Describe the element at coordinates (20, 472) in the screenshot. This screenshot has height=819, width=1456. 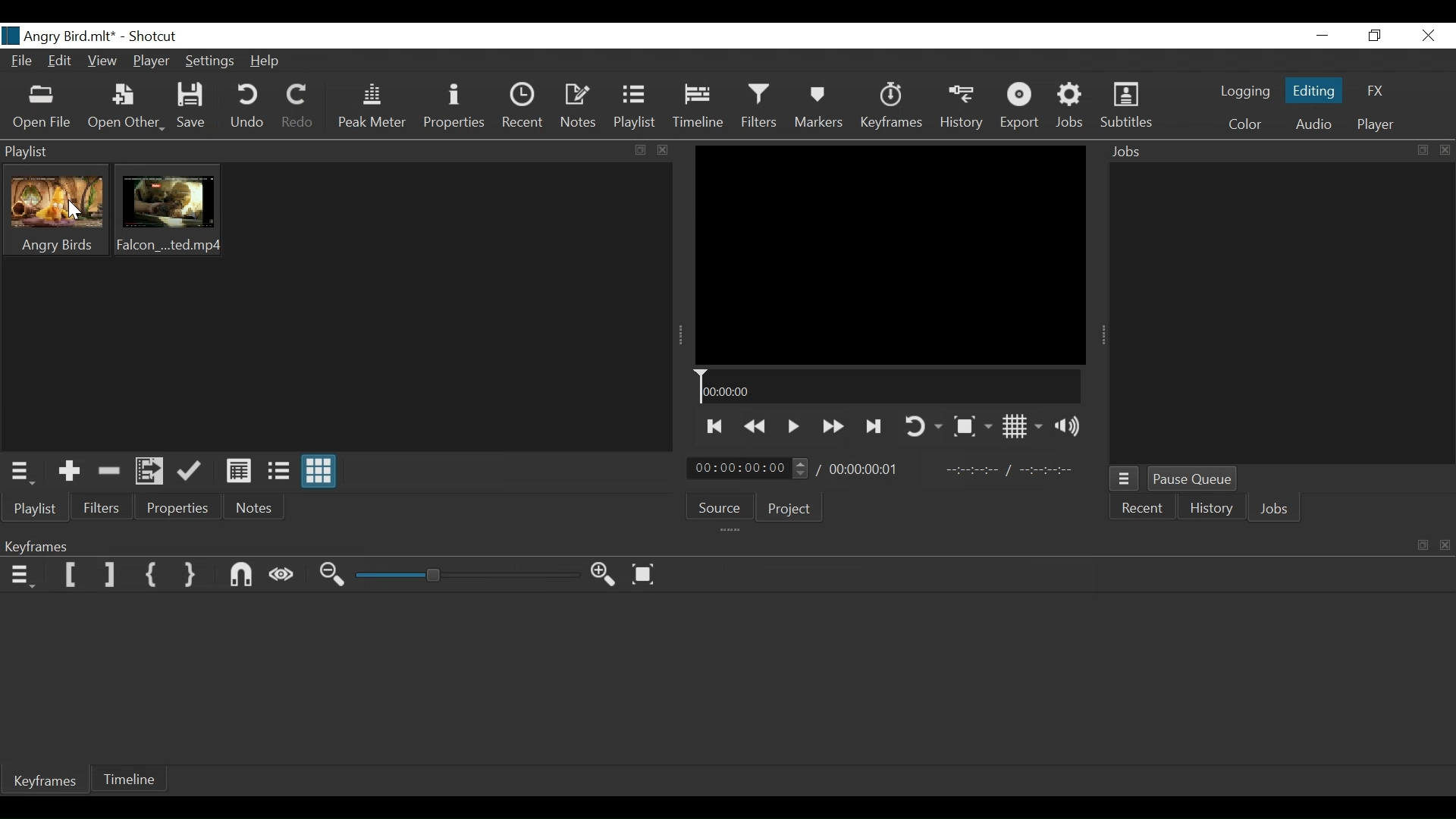
I see `Playlist menu` at that location.